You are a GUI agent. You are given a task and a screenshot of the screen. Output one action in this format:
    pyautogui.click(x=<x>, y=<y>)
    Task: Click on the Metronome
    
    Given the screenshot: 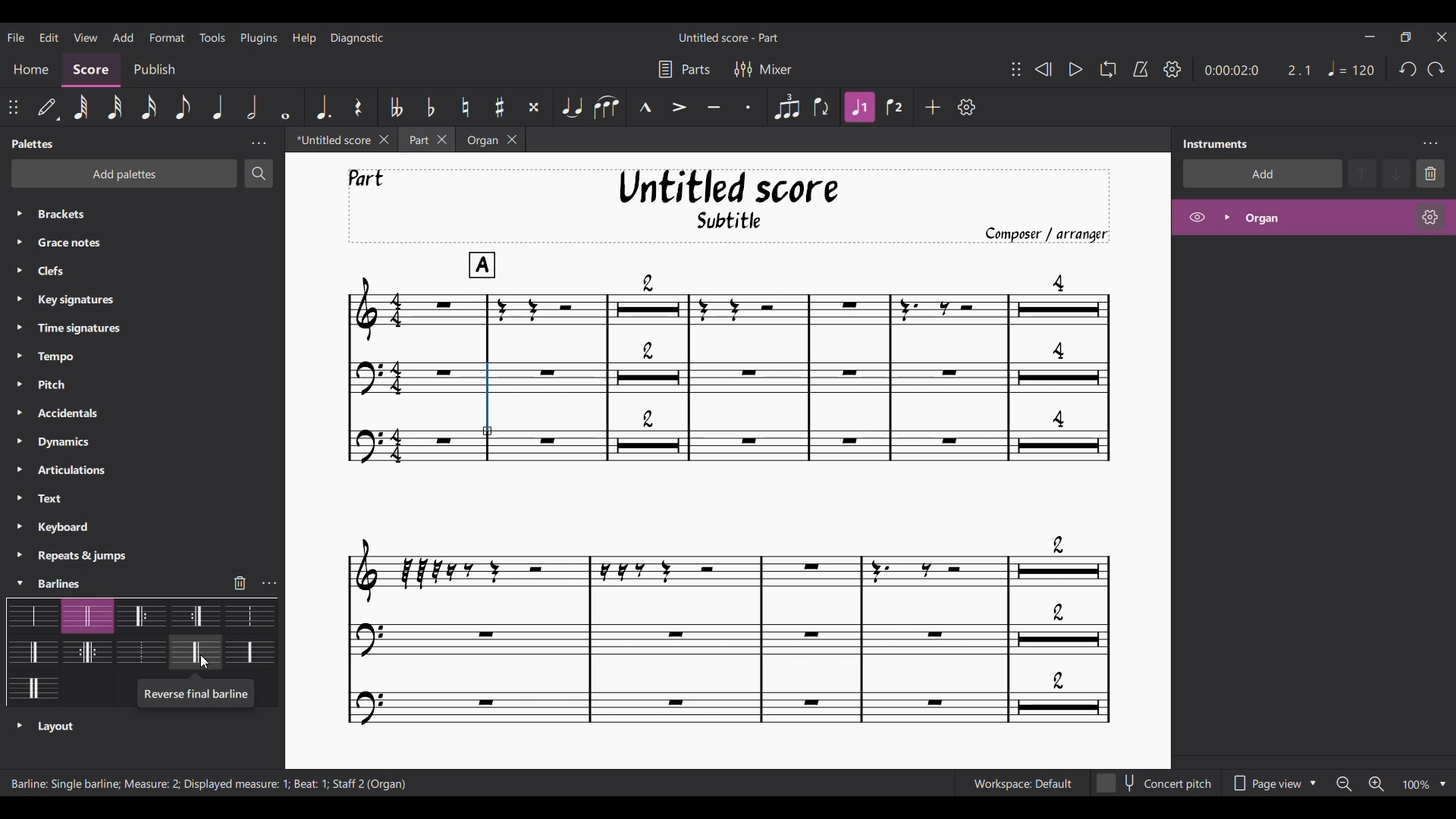 What is the action you would take?
    pyautogui.click(x=1141, y=69)
    